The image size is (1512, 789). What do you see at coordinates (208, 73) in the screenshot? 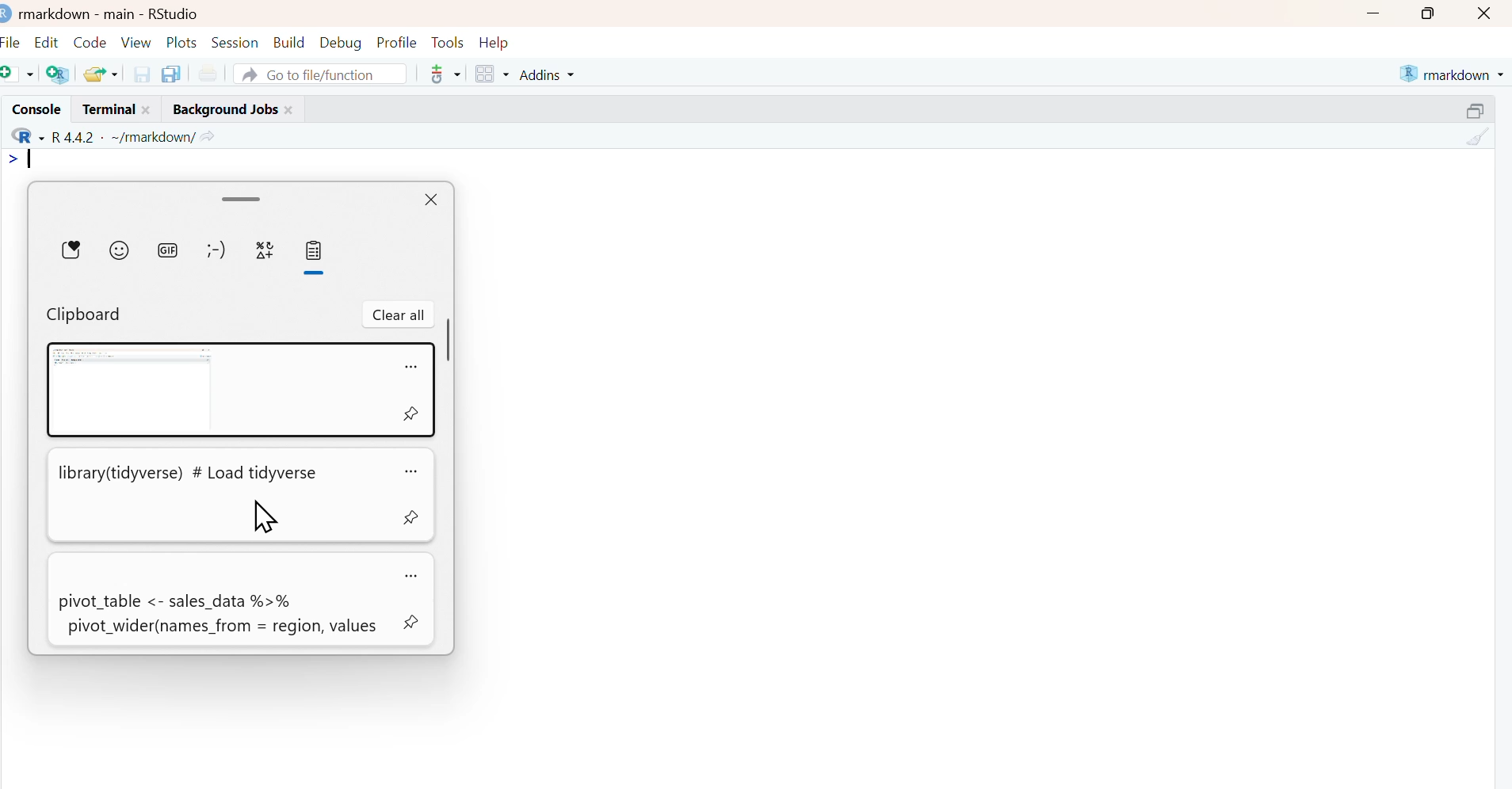
I see `Print current file` at bounding box center [208, 73].